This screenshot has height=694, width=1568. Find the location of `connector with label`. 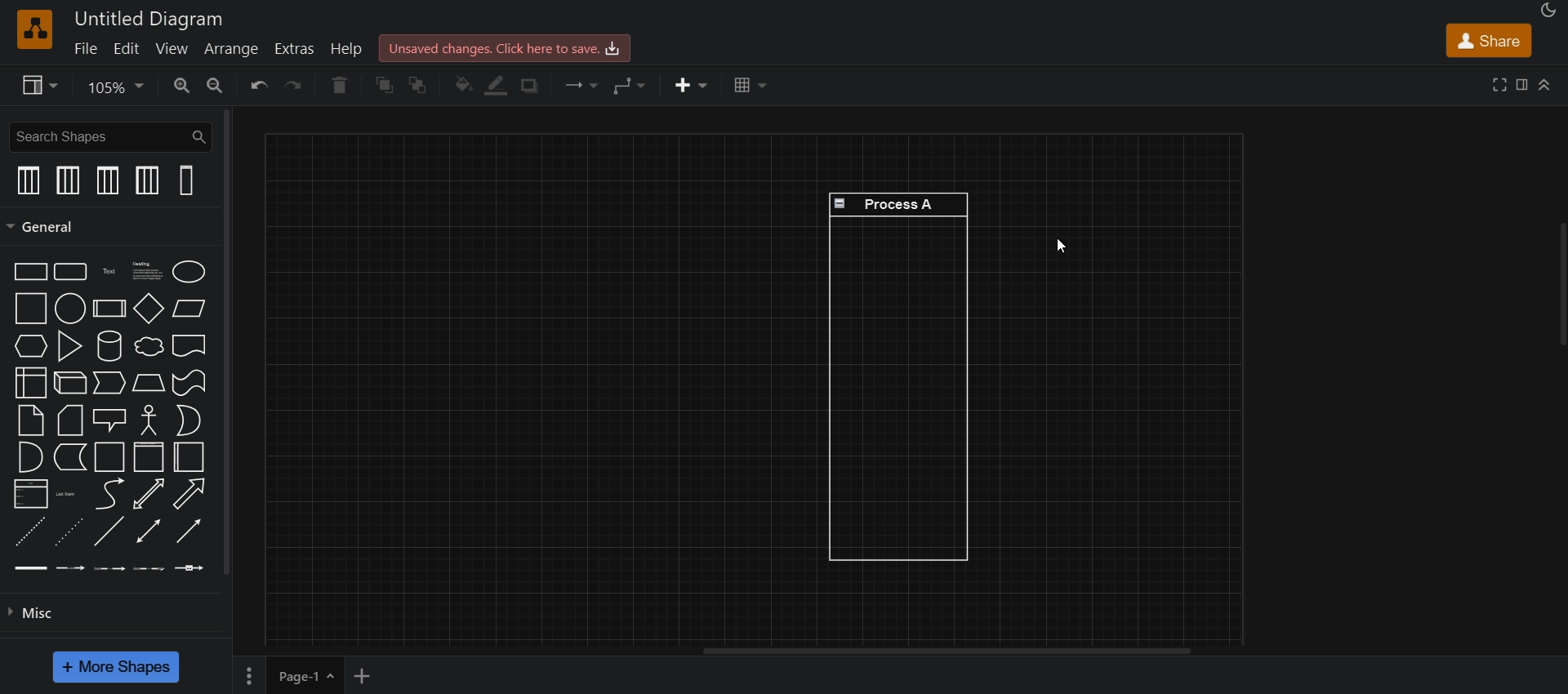

connector with label is located at coordinates (72, 568).